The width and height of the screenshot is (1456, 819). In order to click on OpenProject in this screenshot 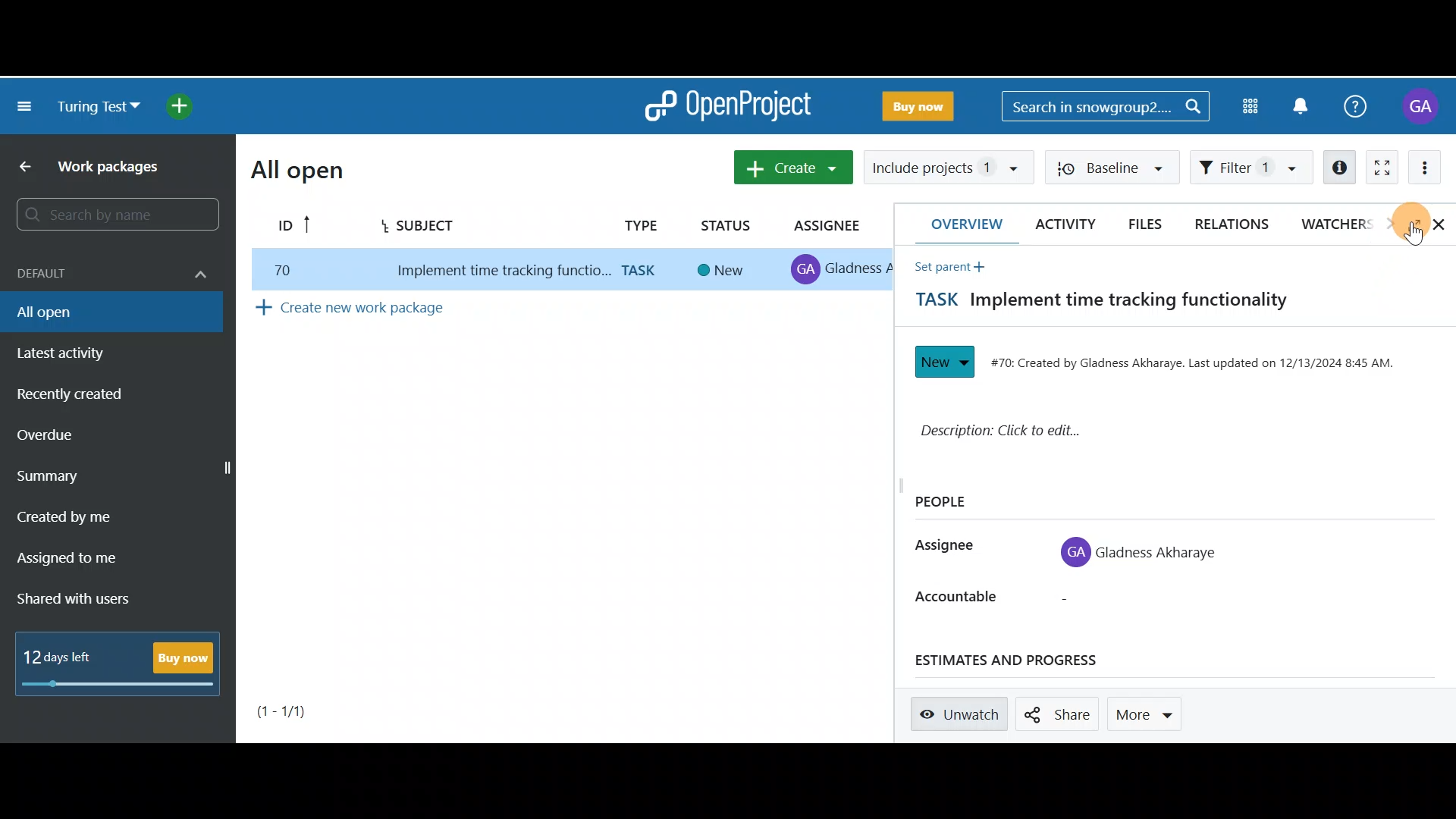, I will do `click(727, 106)`.